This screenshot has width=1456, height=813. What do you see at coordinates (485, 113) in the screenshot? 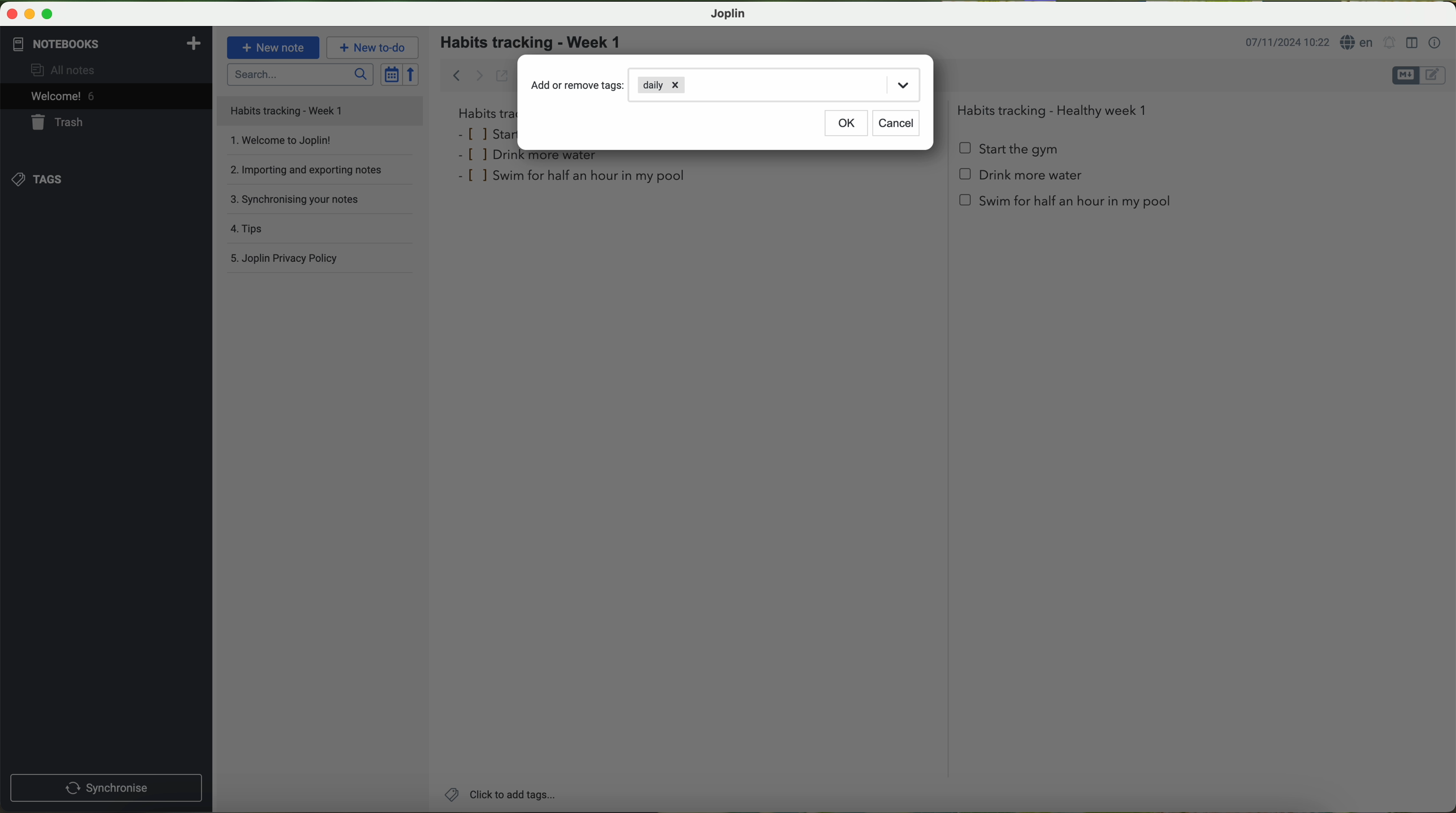
I see `habits tra` at bounding box center [485, 113].